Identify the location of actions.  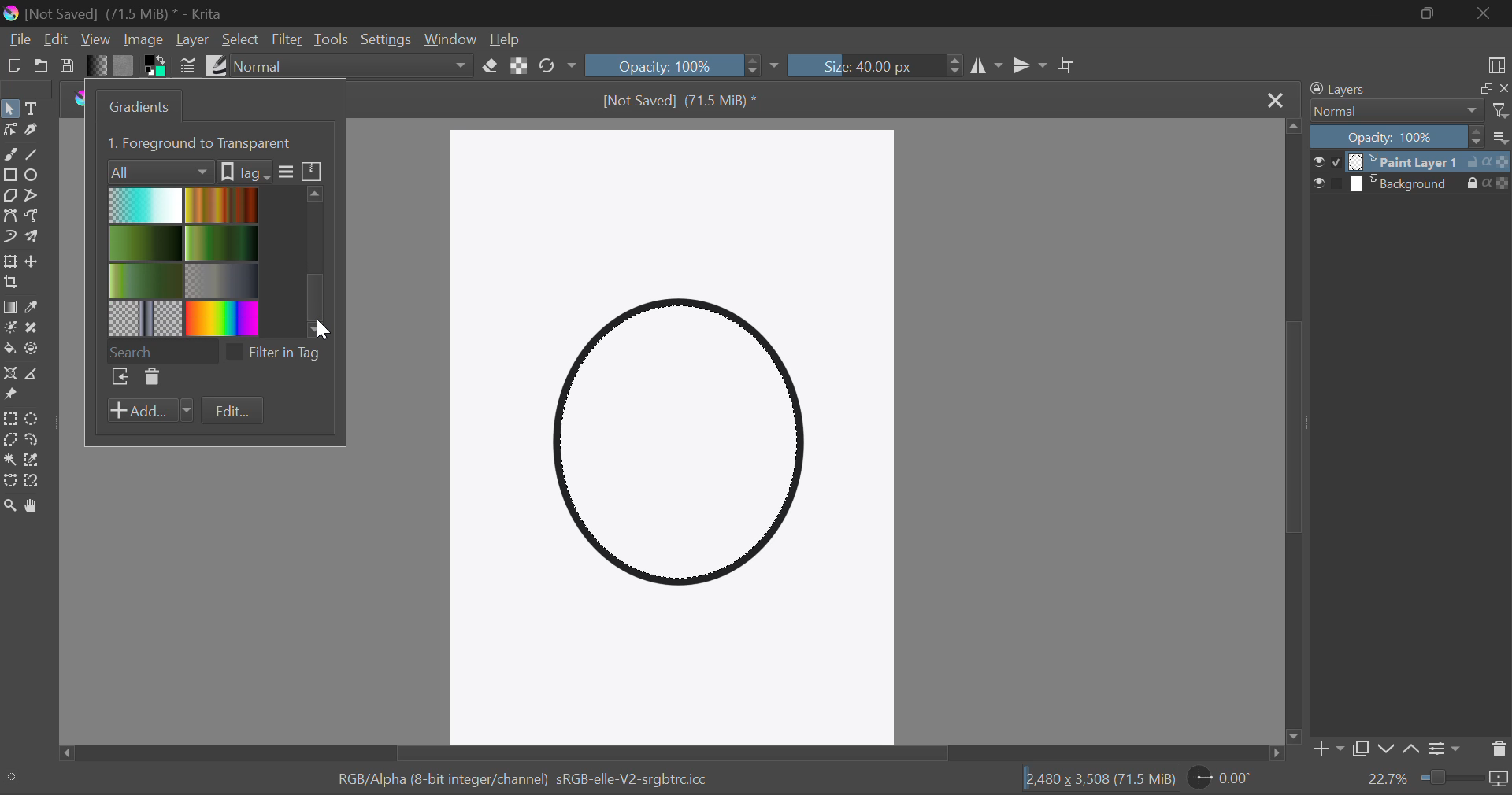
(1488, 162).